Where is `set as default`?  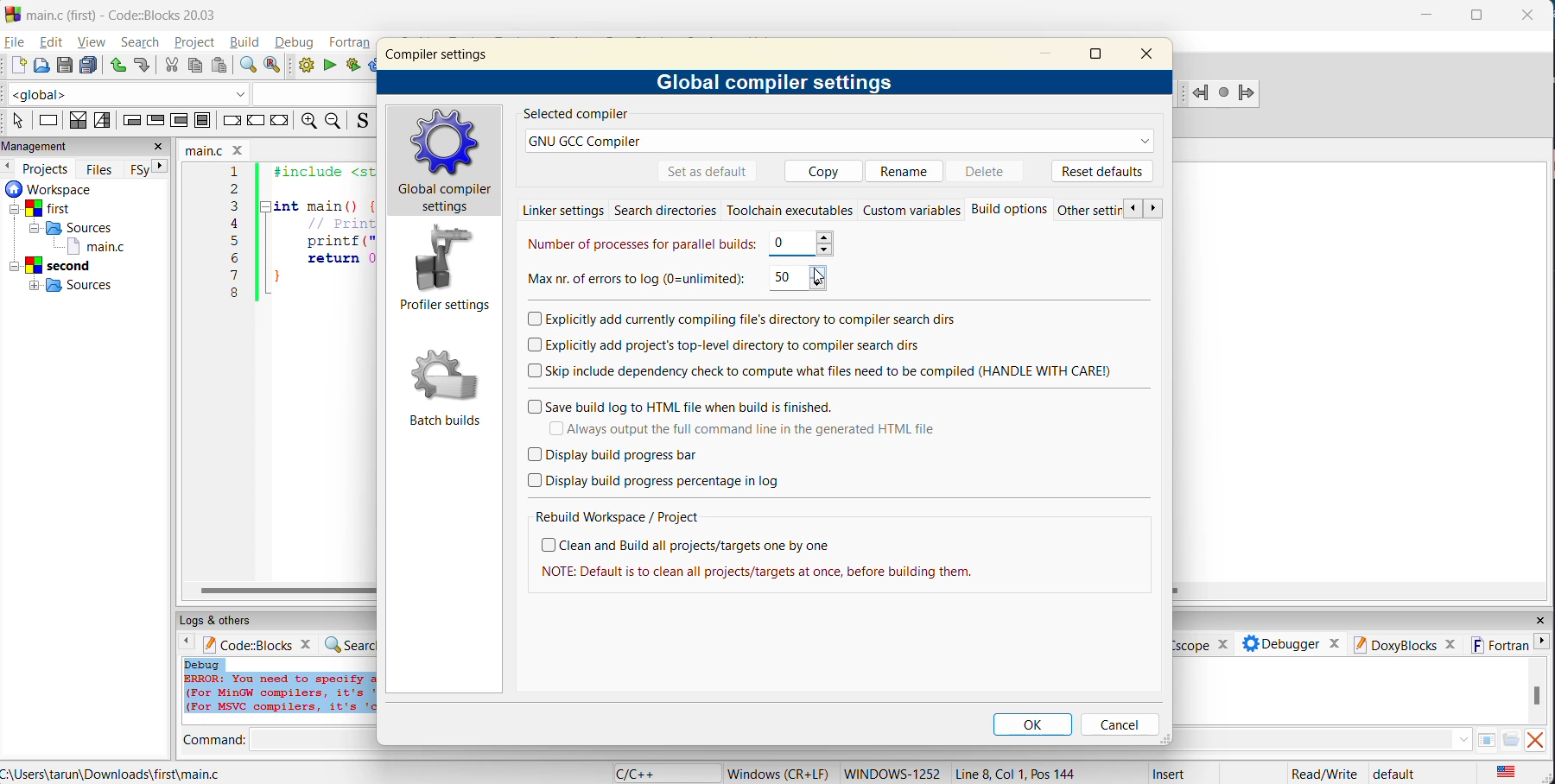
set as default is located at coordinates (708, 172).